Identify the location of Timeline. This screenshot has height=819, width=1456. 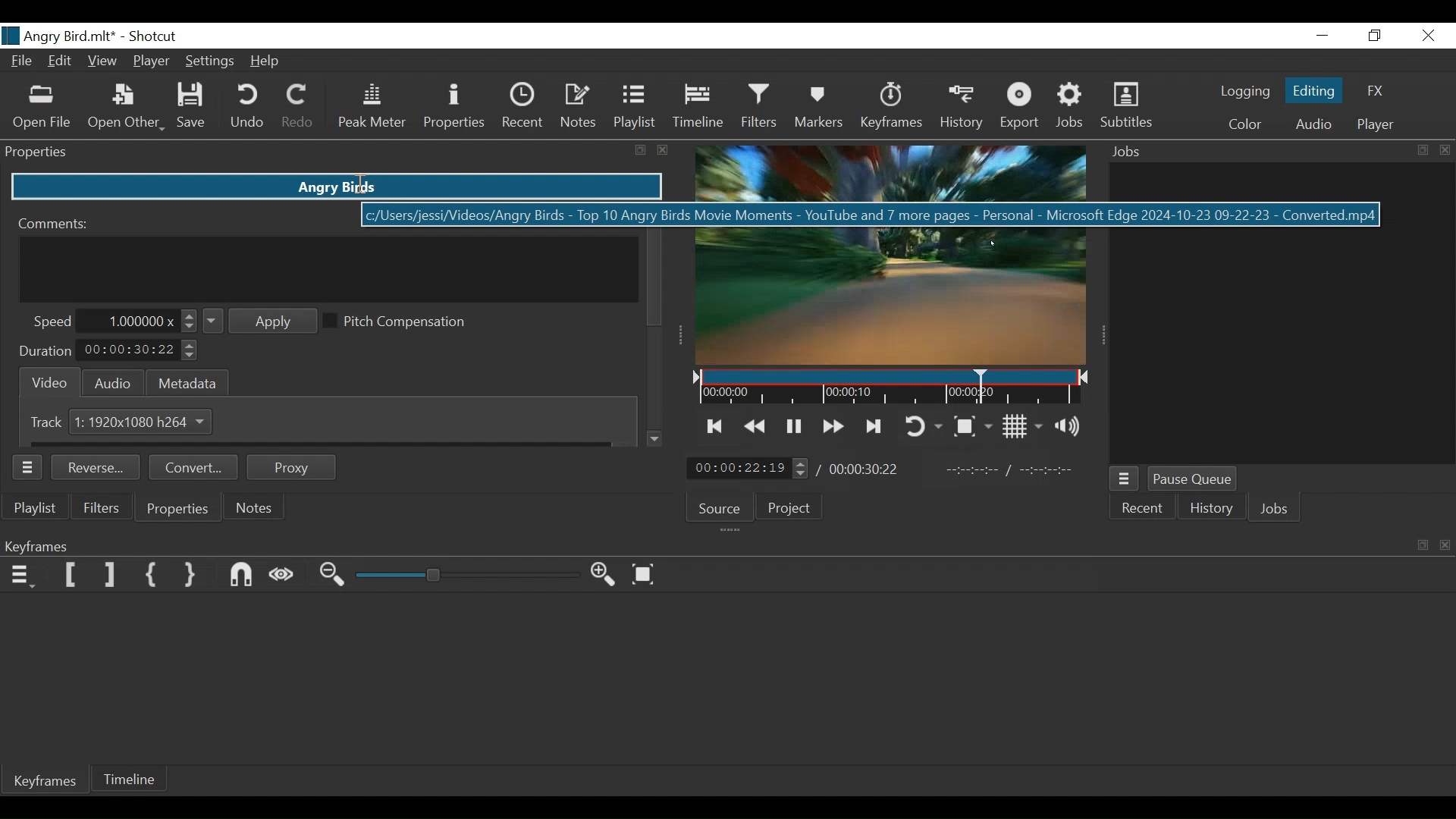
(131, 781).